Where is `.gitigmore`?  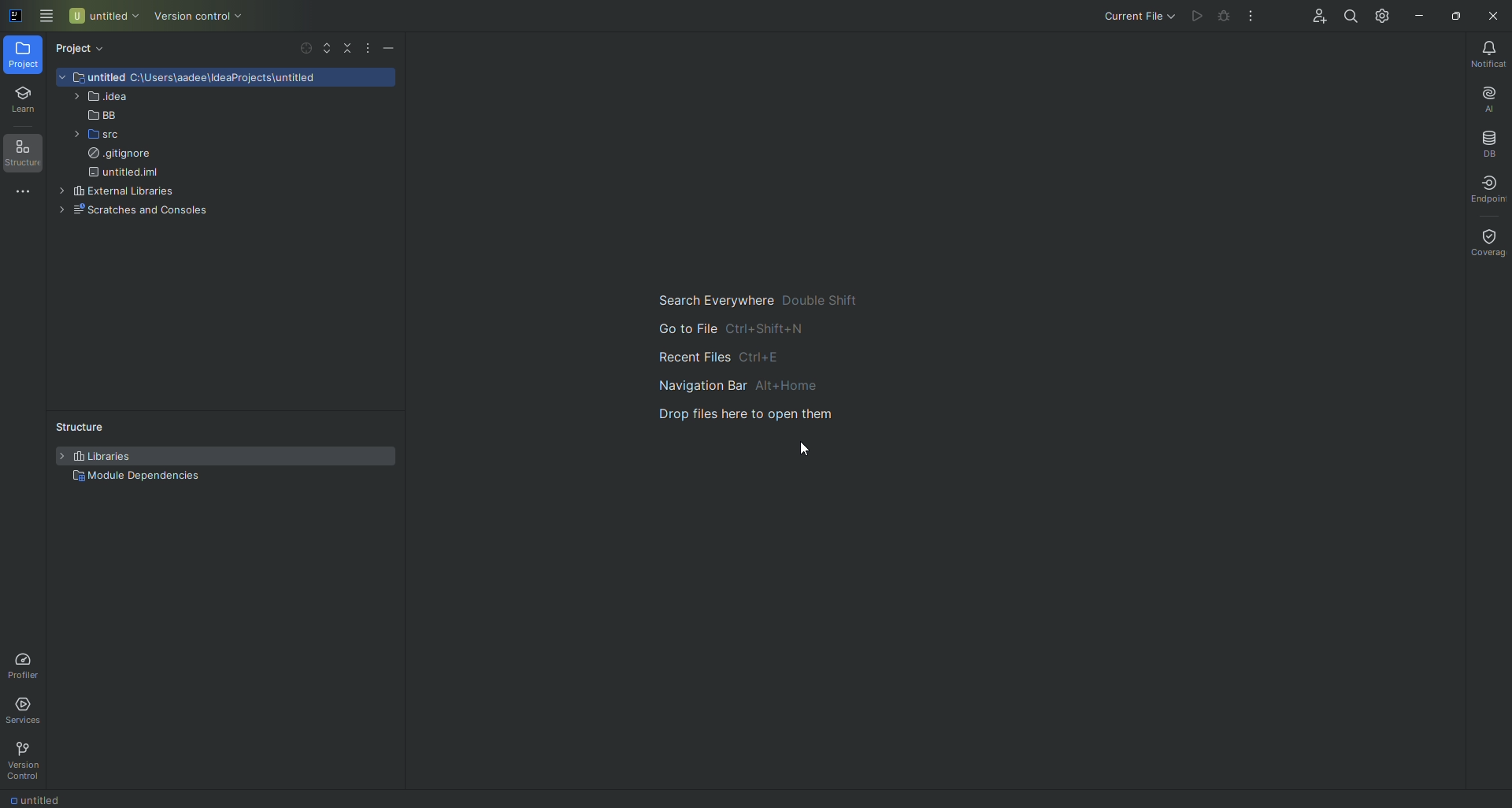 .gitigmore is located at coordinates (120, 156).